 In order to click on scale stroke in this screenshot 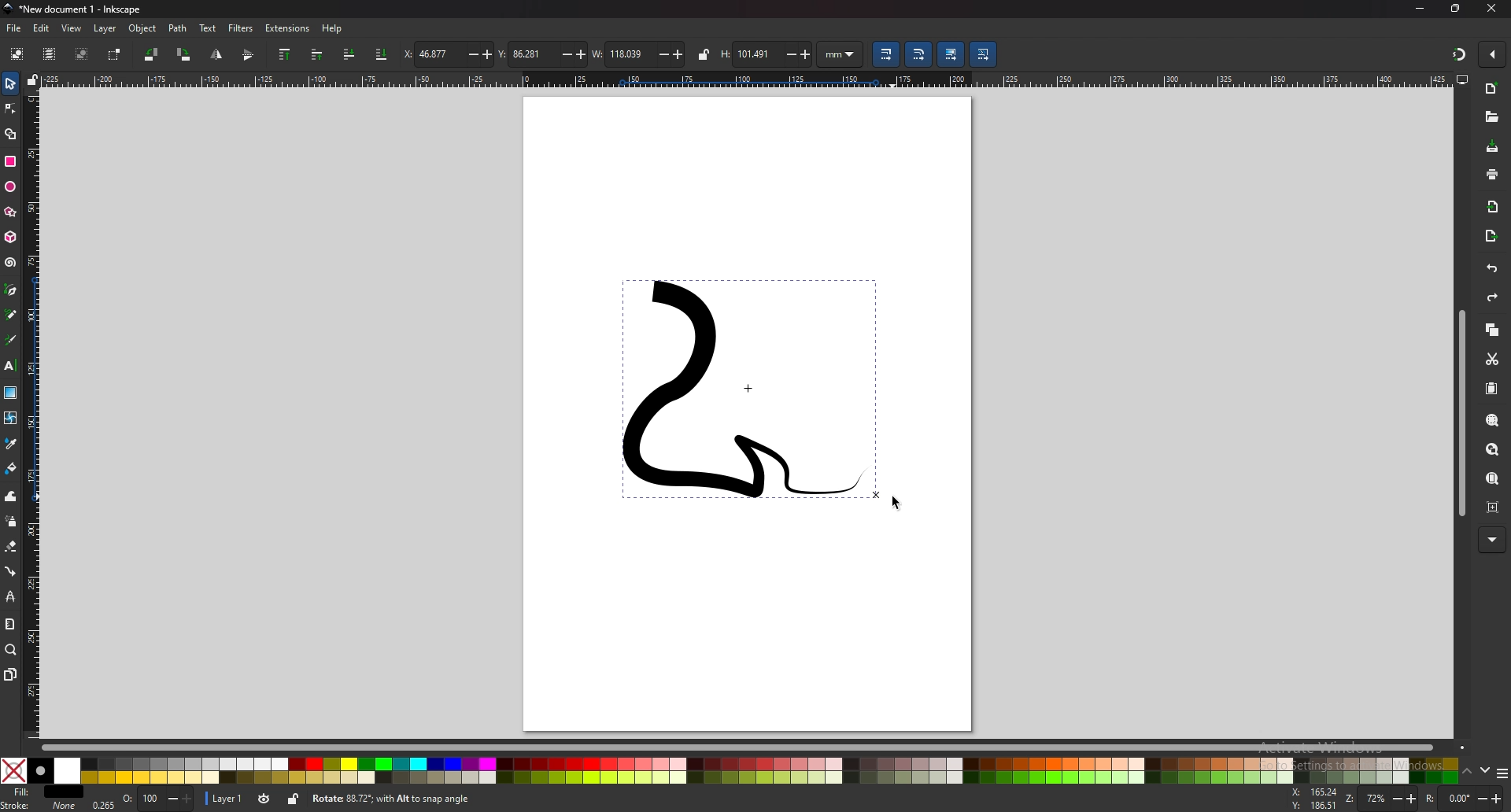, I will do `click(885, 54)`.